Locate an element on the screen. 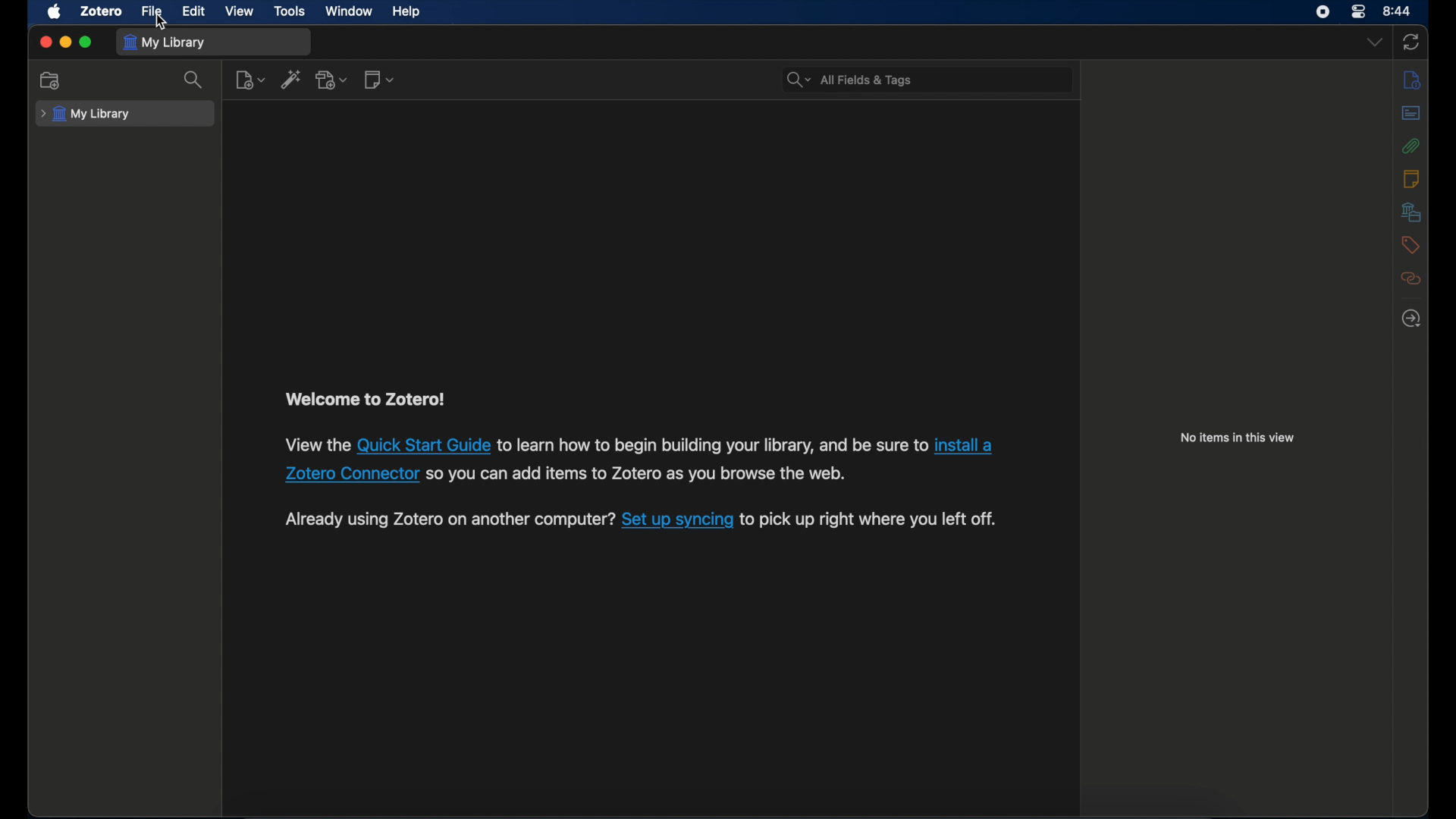 Image resolution: width=1456 pixels, height=819 pixels. minimize is located at coordinates (67, 42).